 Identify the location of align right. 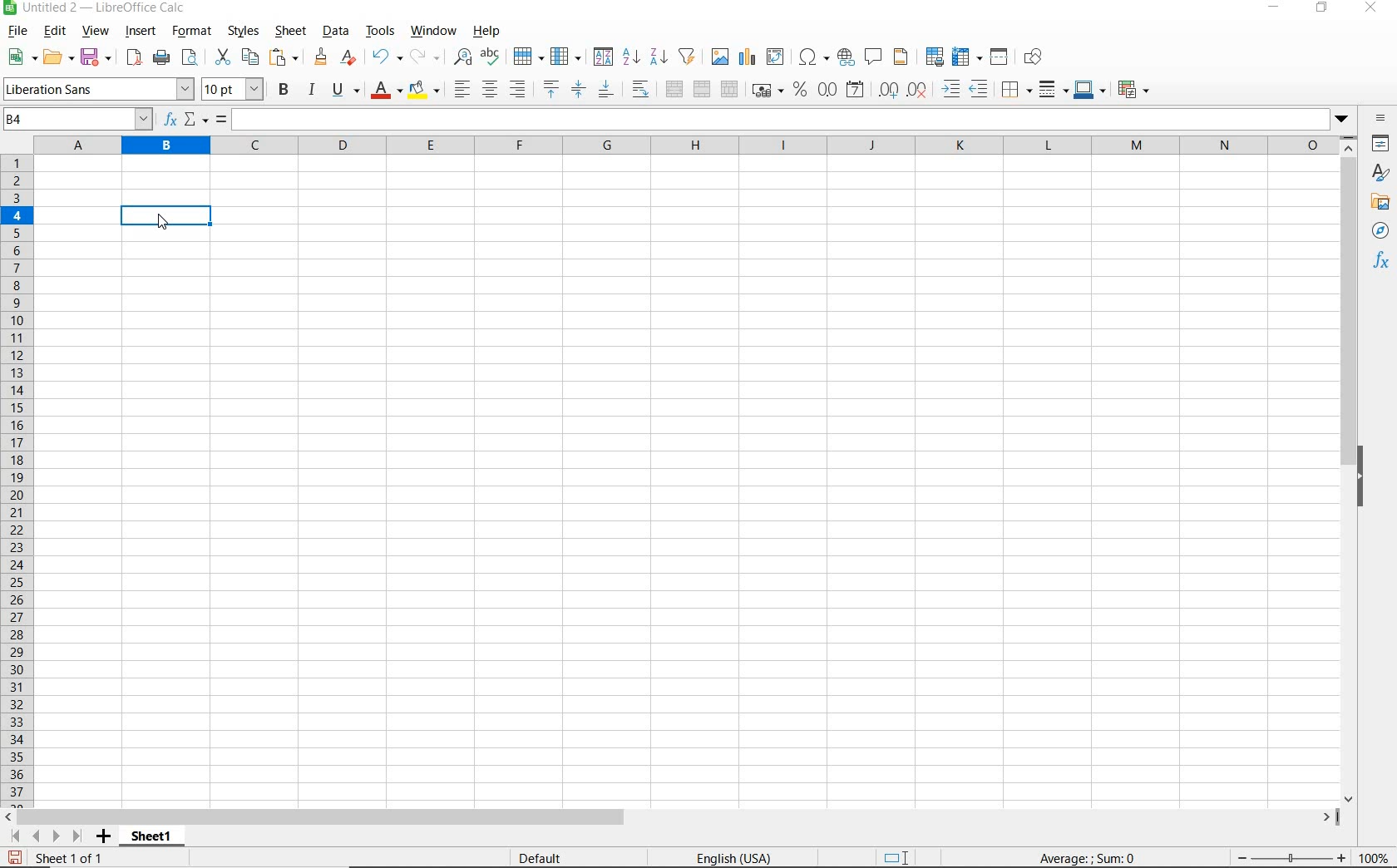
(520, 89).